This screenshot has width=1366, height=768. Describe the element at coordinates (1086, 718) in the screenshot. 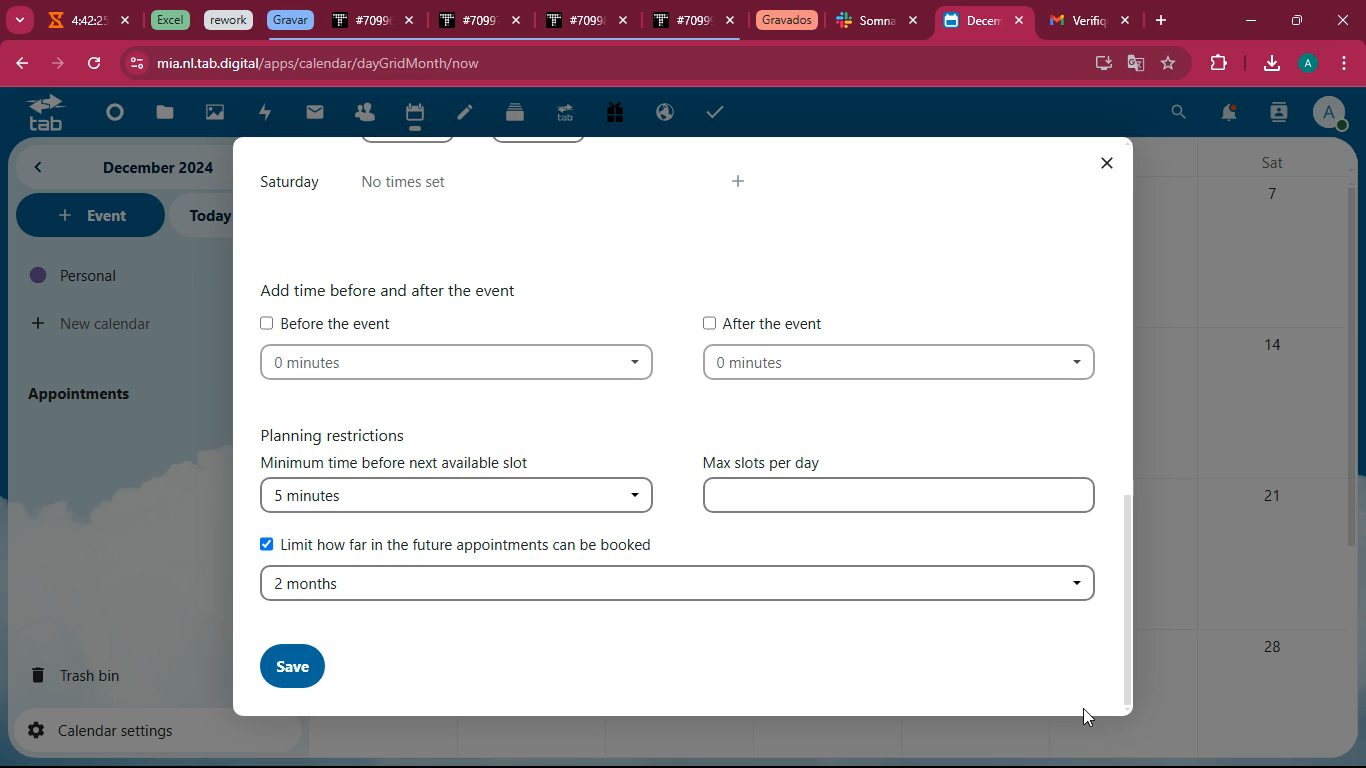

I see `Cursor` at that location.